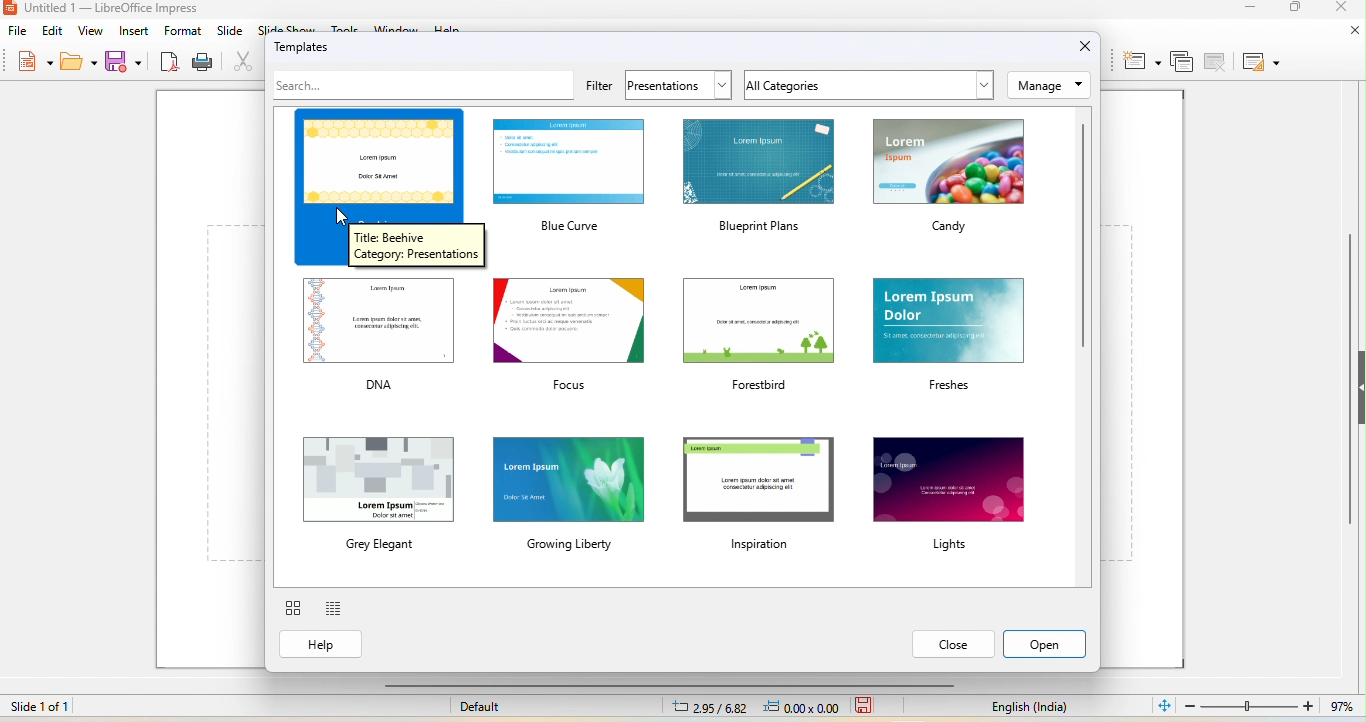  Describe the element at coordinates (570, 495) in the screenshot. I see `growing liberty` at that location.